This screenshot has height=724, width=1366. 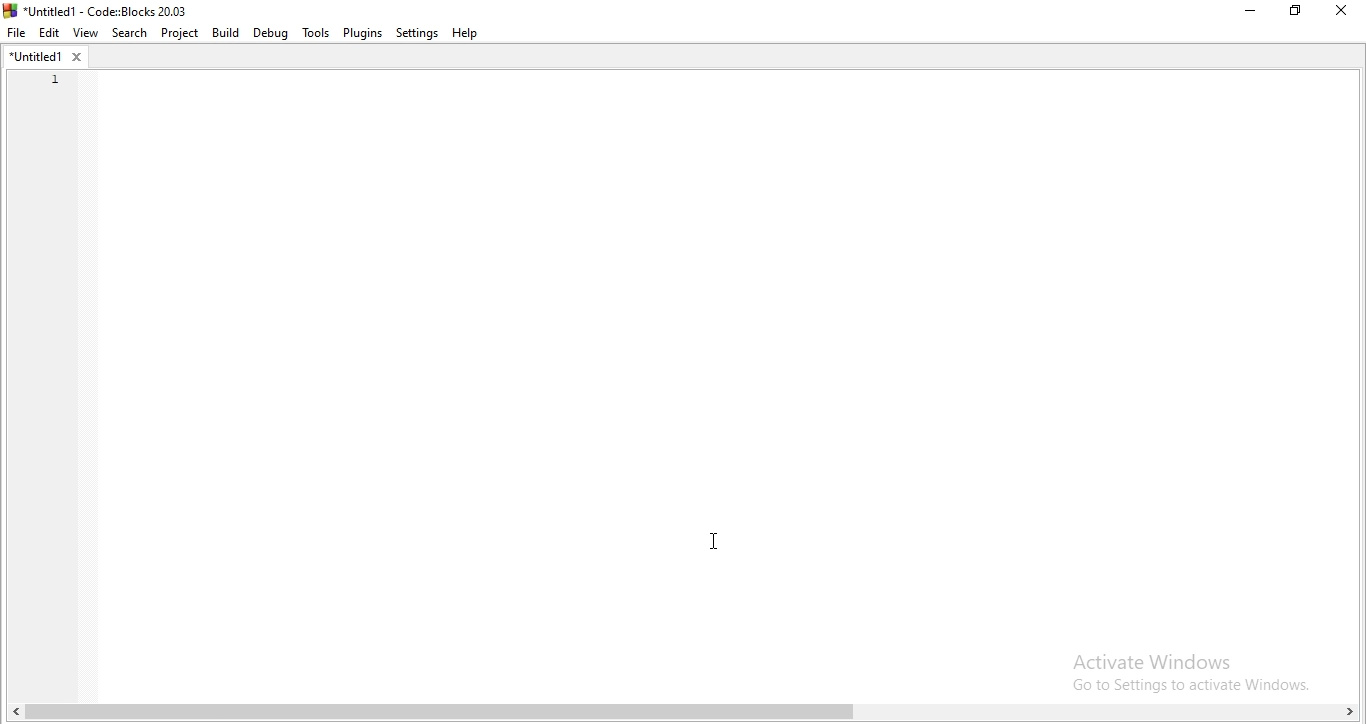 What do you see at coordinates (86, 33) in the screenshot?
I see `View ` at bounding box center [86, 33].